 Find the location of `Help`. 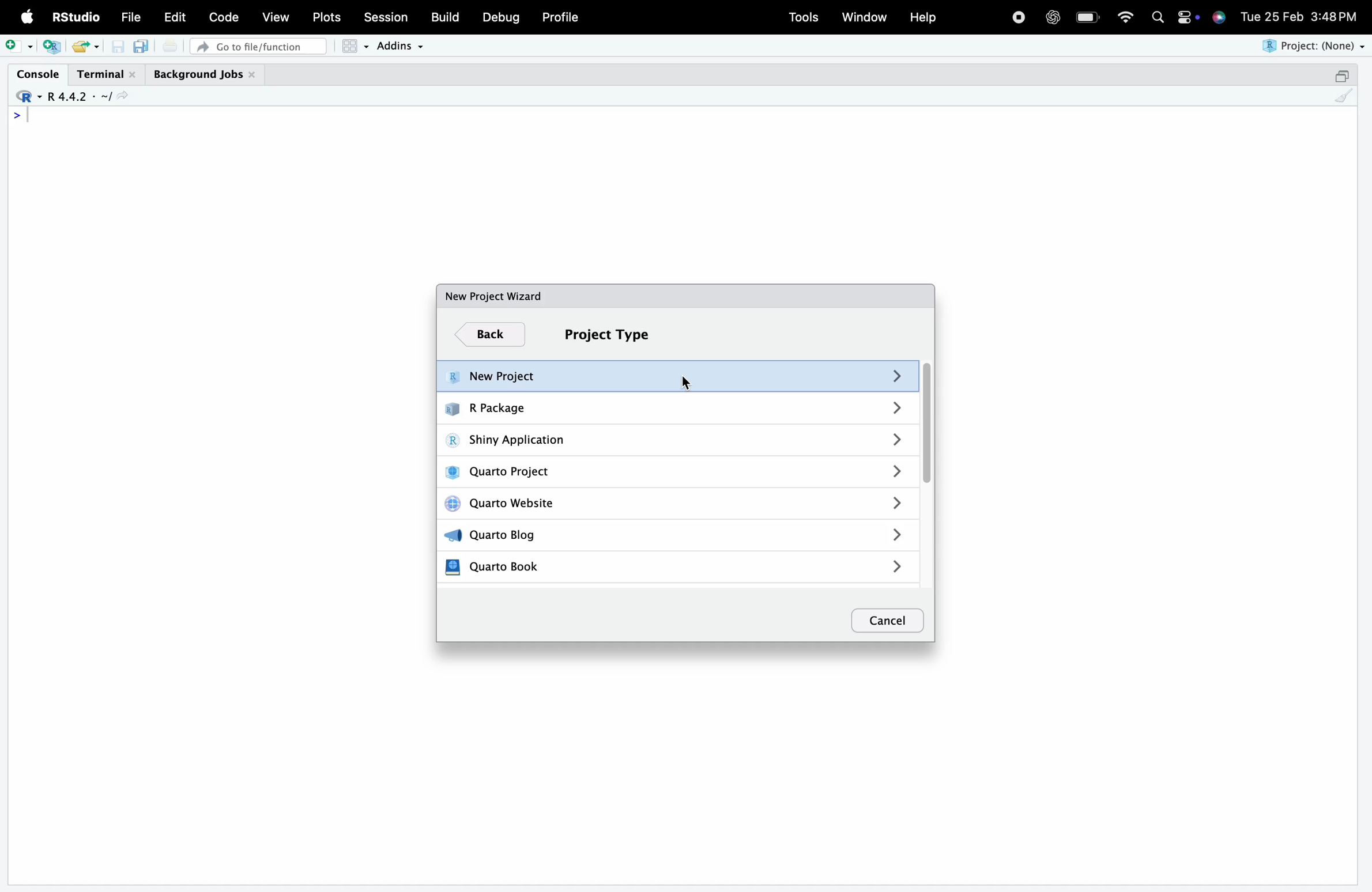

Help is located at coordinates (922, 17).